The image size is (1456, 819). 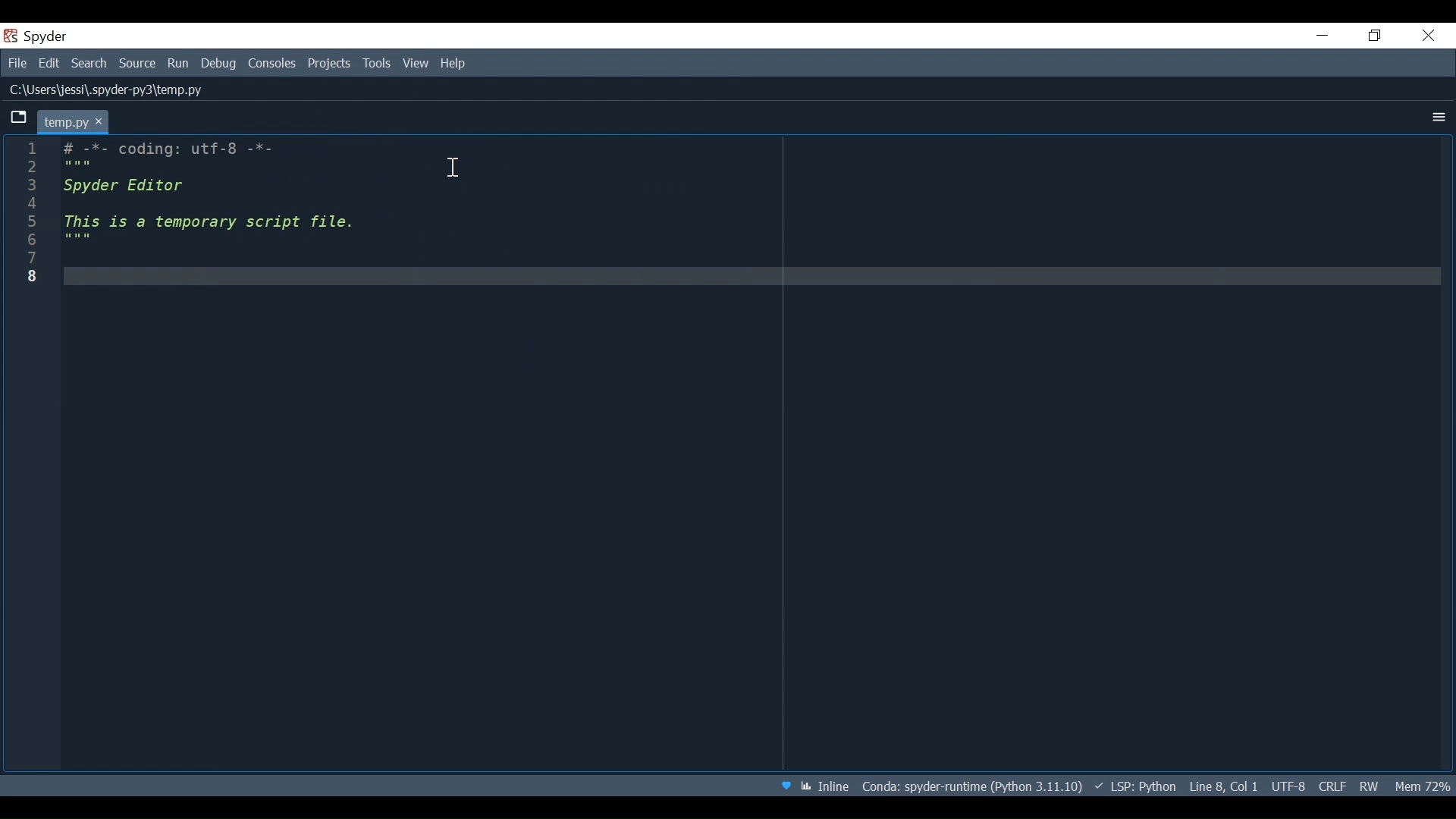 I want to click on Edit, so click(x=51, y=64).